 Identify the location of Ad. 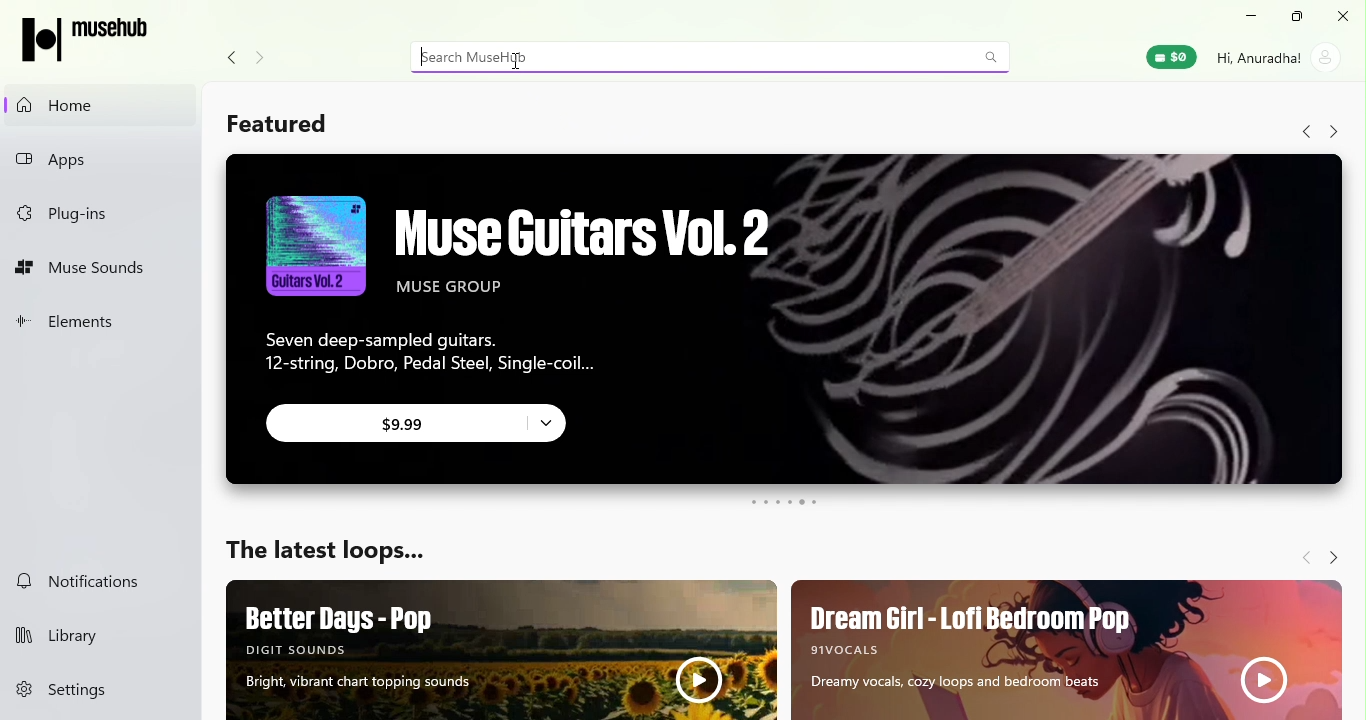
(1064, 647).